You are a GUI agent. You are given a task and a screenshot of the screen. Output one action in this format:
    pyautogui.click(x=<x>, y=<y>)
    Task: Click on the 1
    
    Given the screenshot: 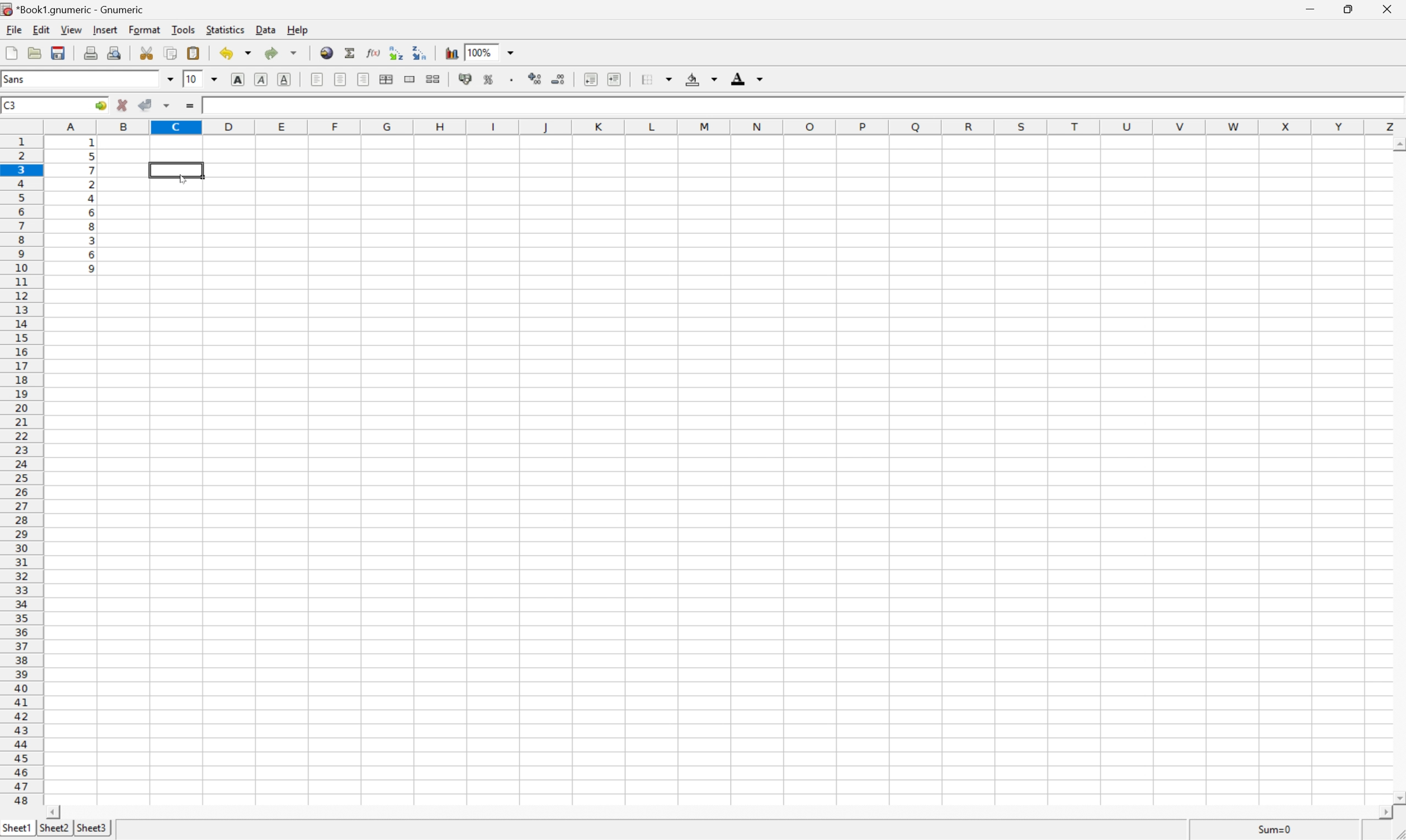 What is the action you would take?
    pyautogui.click(x=213, y=106)
    